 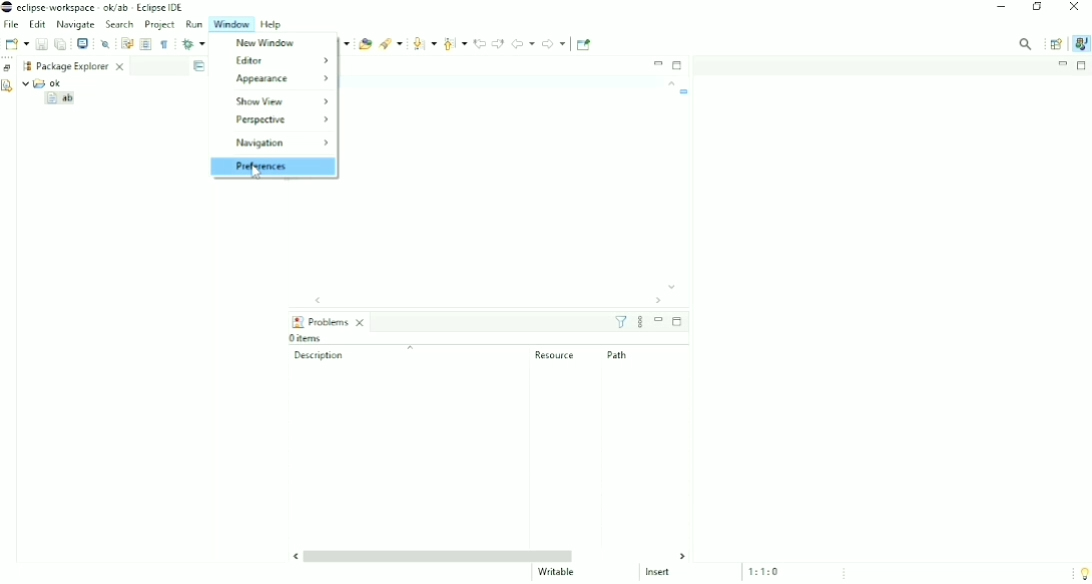 What do you see at coordinates (83, 43) in the screenshot?
I see `Open a Terminal` at bounding box center [83, 43].